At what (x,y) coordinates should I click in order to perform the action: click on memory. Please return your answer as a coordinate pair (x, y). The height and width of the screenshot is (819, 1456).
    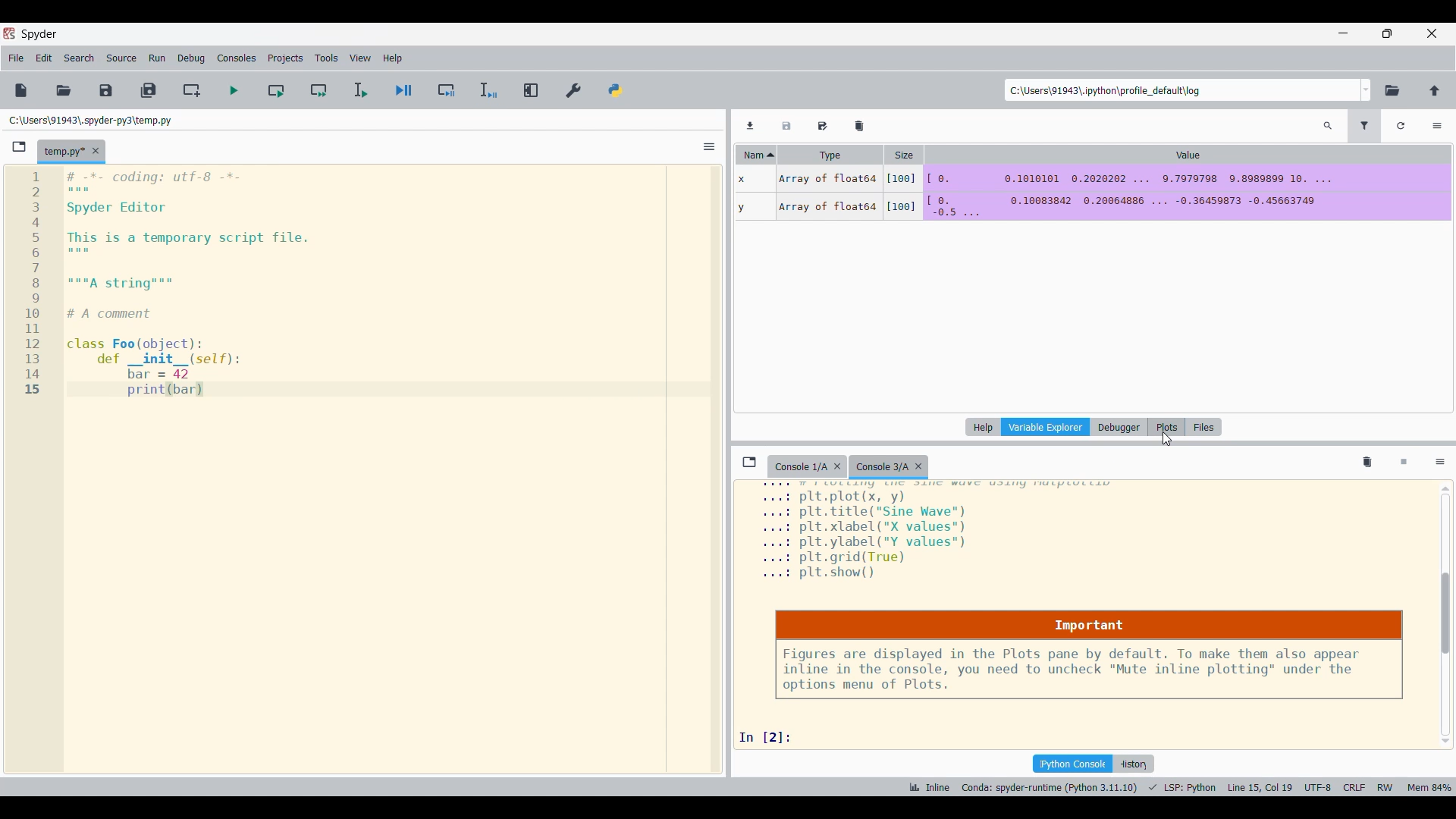
    Looking at the image, I should click on (1430, 786).